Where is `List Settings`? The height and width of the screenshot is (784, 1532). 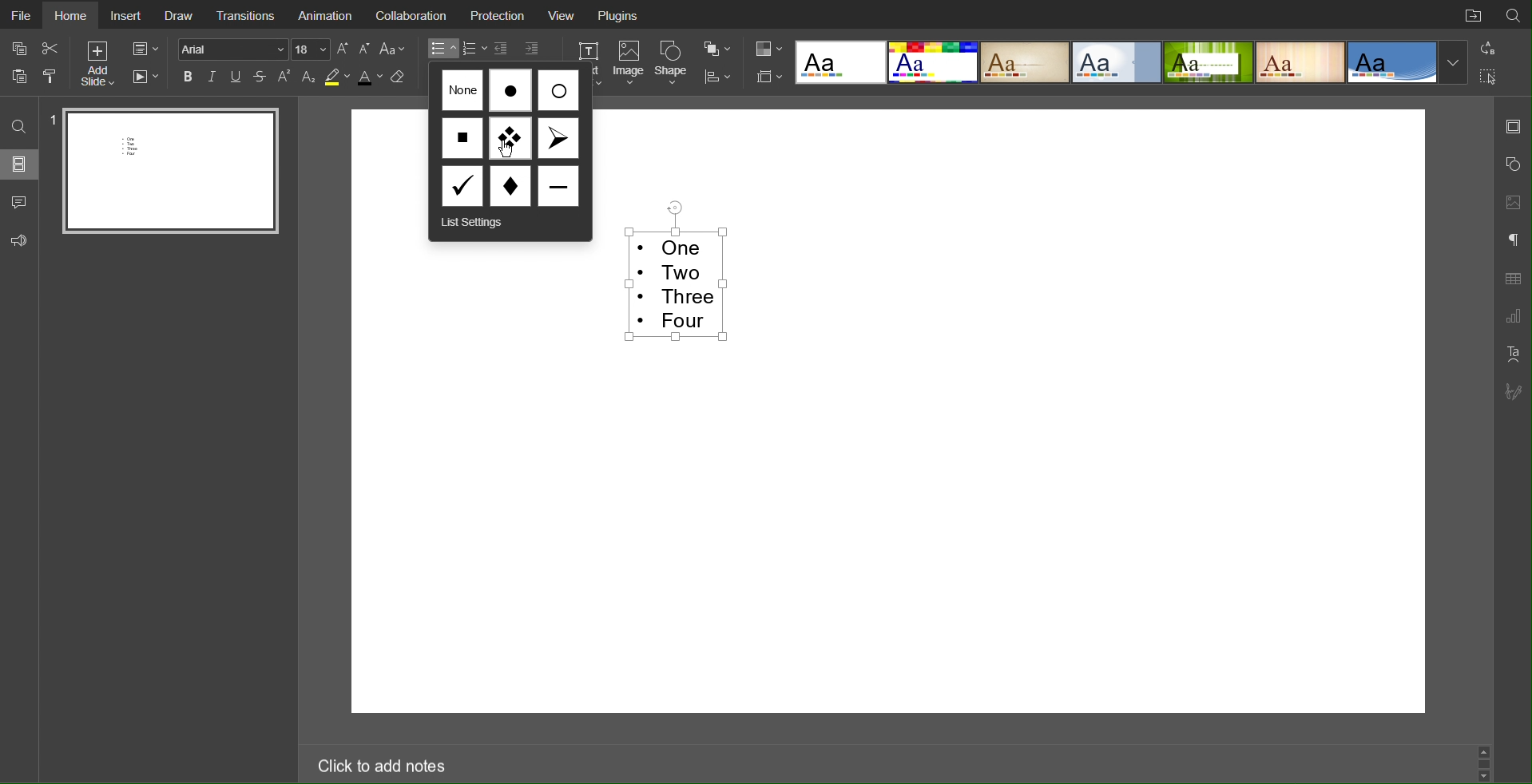
List Settings is located at coordinates (468, 223).